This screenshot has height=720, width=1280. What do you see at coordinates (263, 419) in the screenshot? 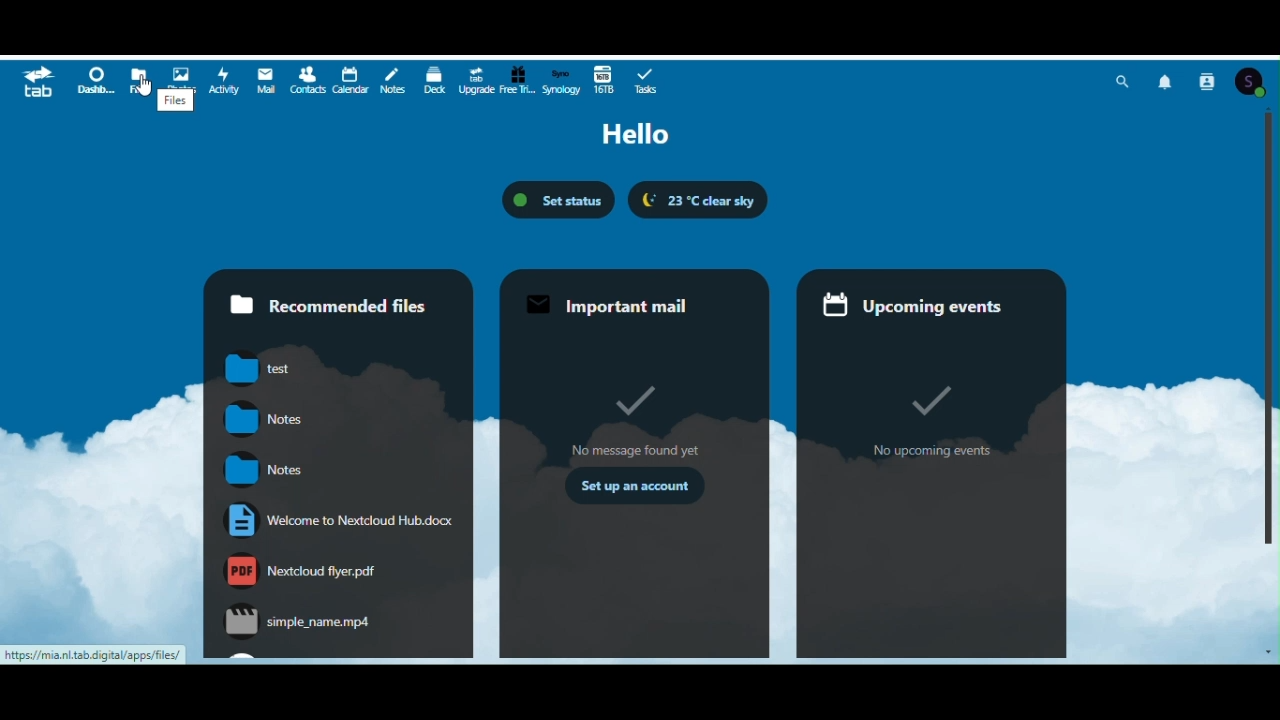
I see `notes` at bounding box center [263, 419].